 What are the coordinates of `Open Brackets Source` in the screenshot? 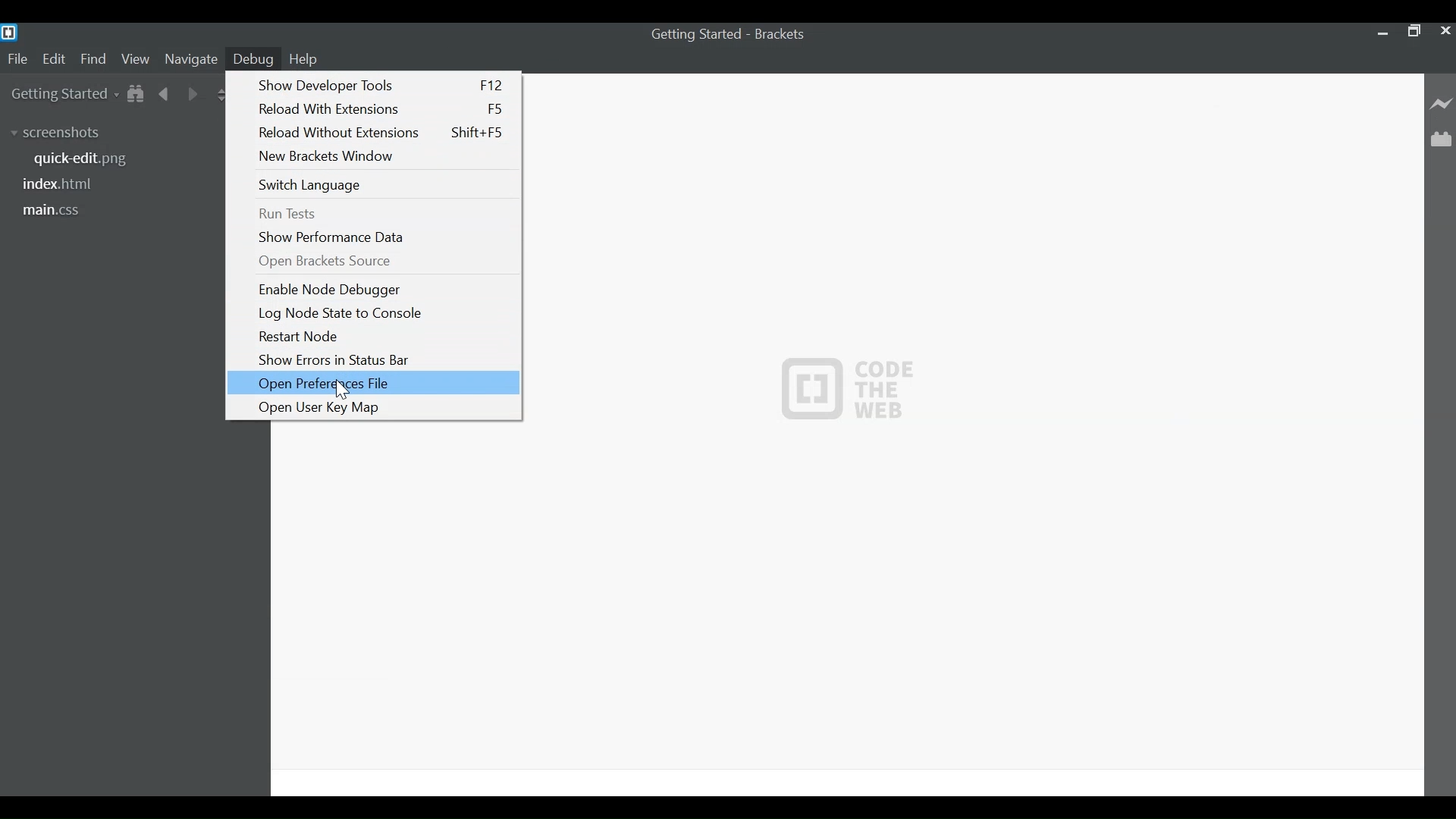 It's located at (380, 262).